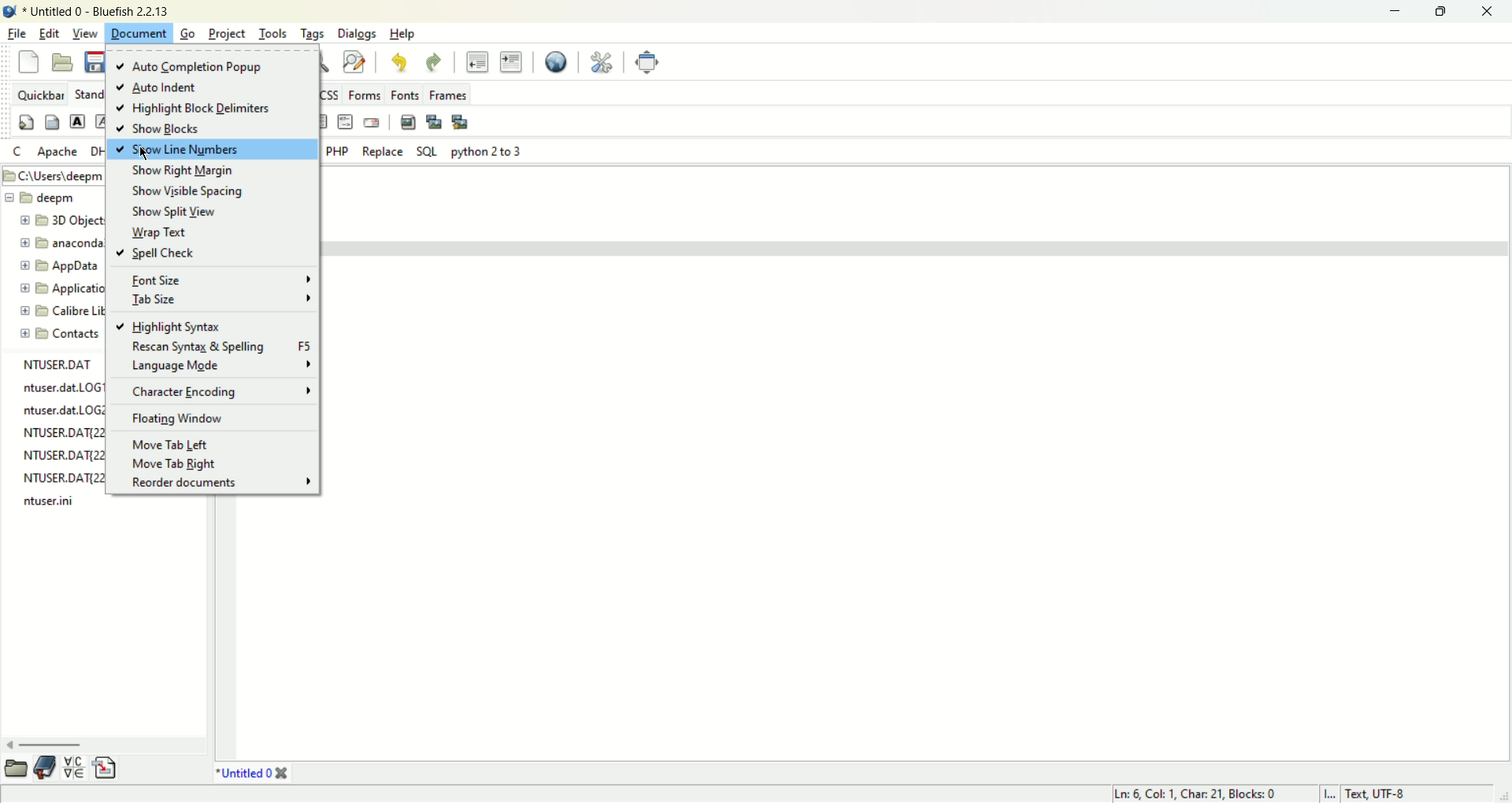  What do you see at coordinates (217, 301) in the screenshot?
I see `tab size` at bounding box center [217, 301].